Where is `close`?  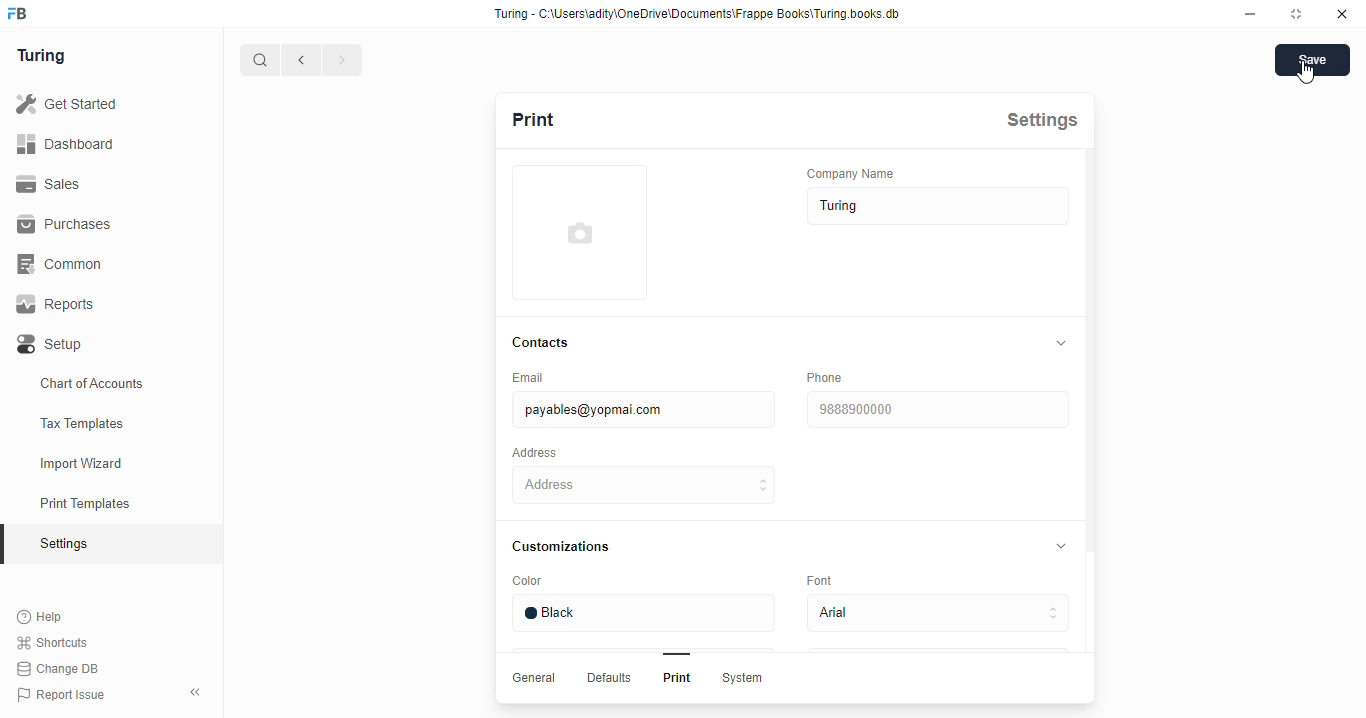
close is located at coordinates (1345, 15).